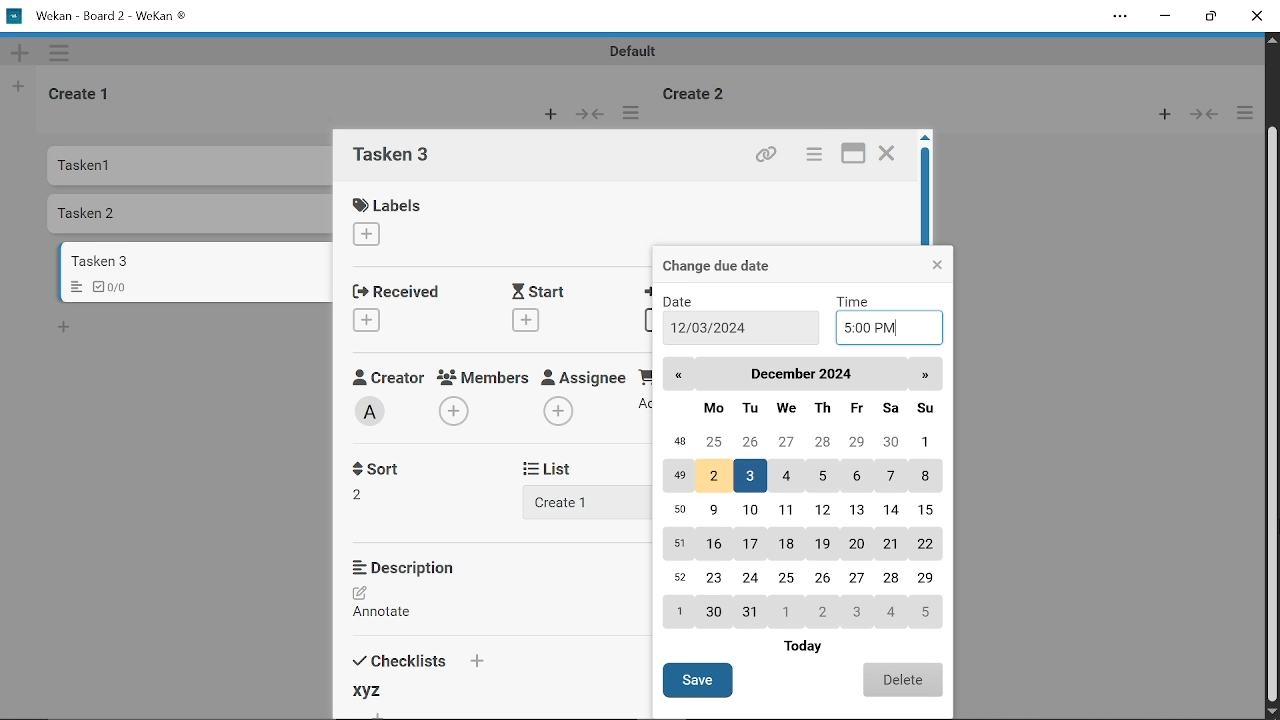  I want to click on New, so click(20, 85).